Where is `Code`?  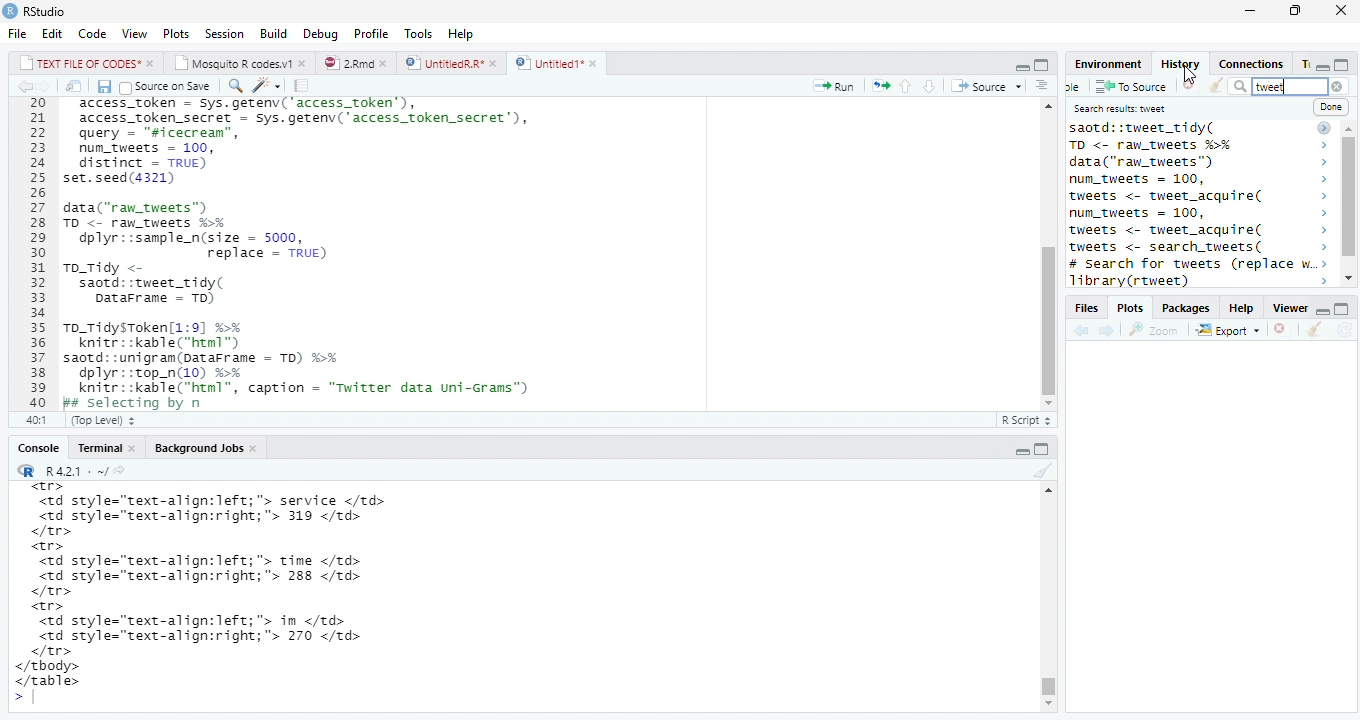
Code is located at coordinates (92, 33).